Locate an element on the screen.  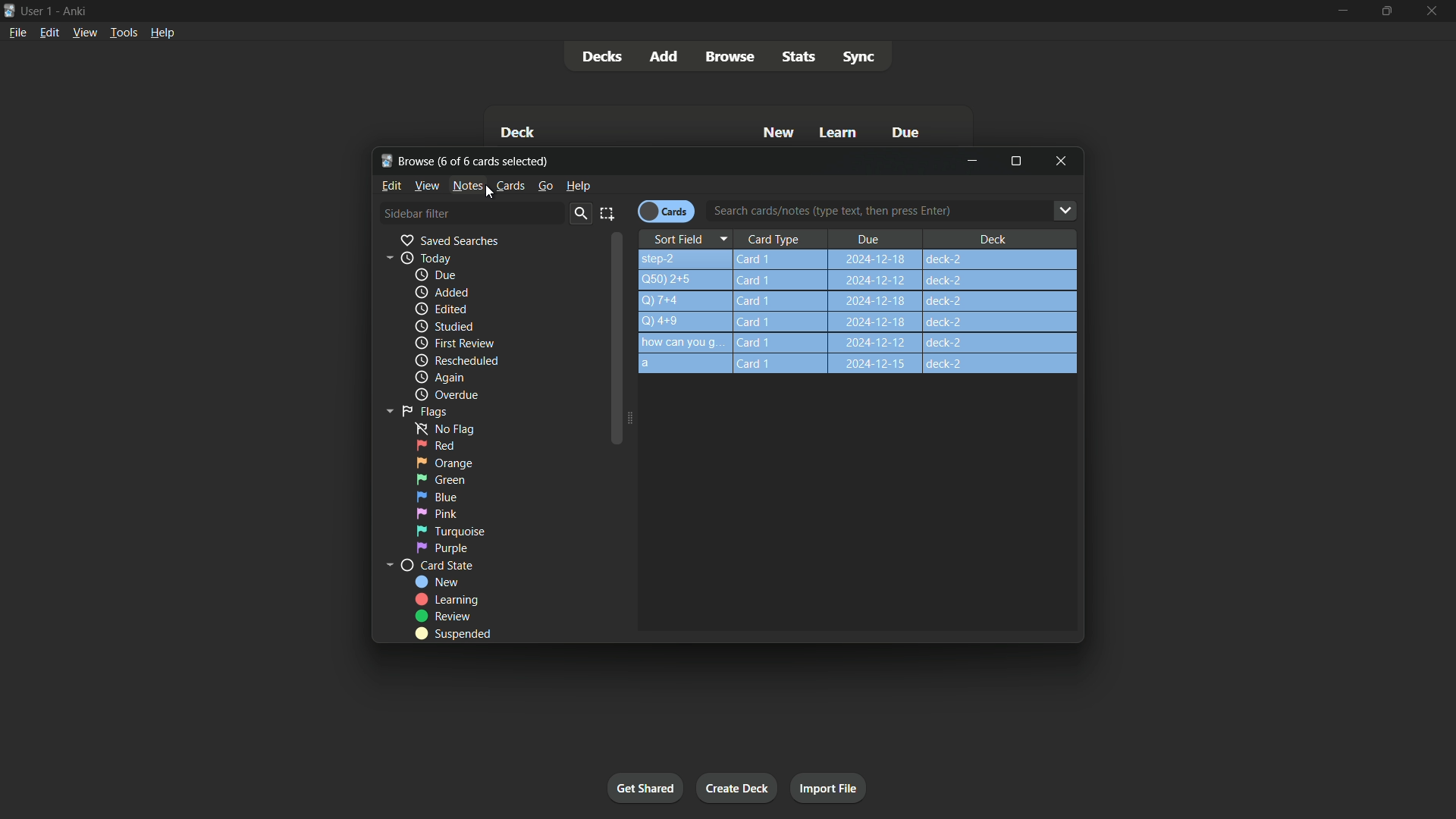
pink is located at coordinates (437, 513).